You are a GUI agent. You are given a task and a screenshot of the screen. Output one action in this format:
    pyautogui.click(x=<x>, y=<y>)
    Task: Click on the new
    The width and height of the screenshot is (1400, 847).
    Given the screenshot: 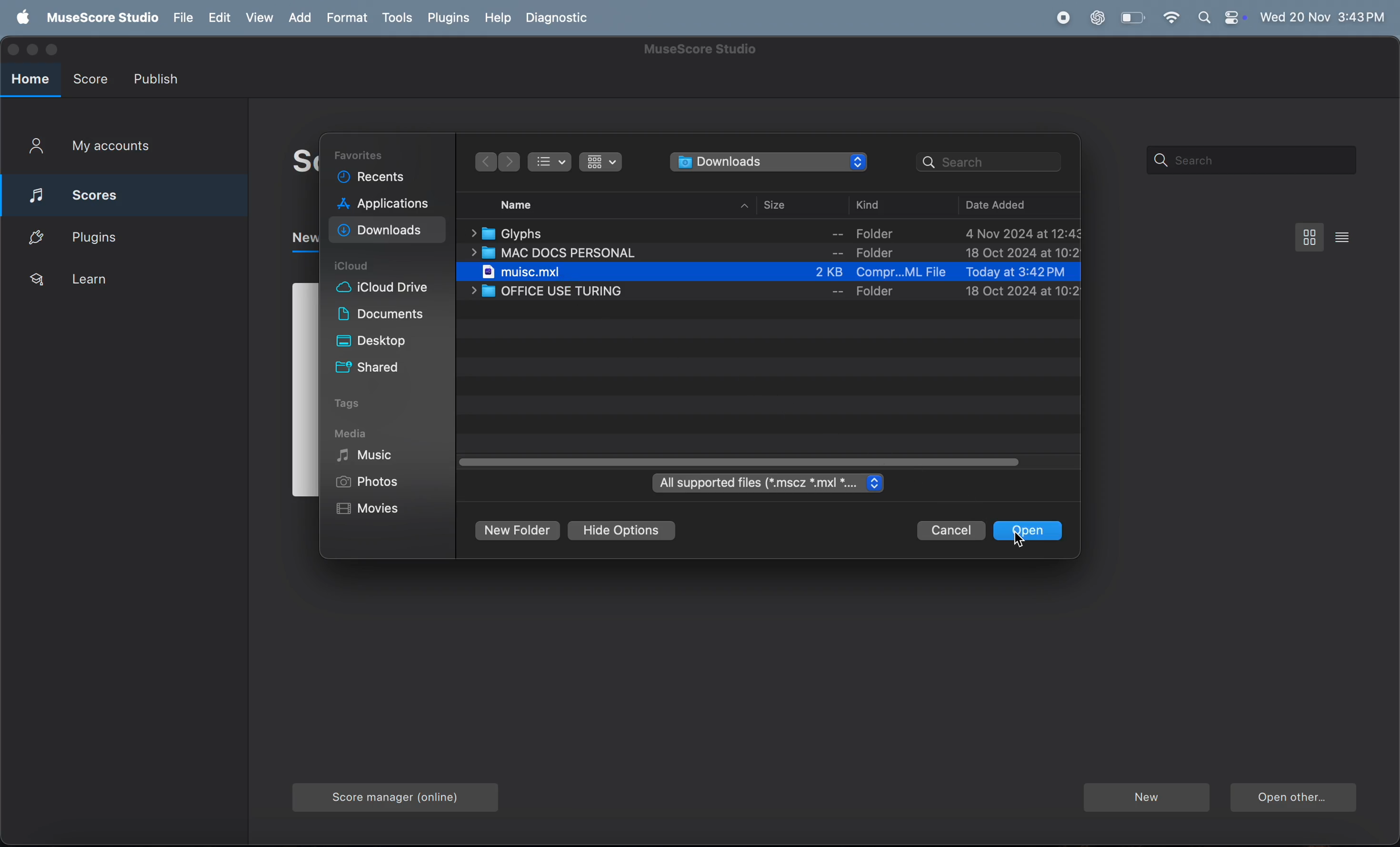 What is the action you would take?
    pyautogui.click(x=1145, y=796)
    